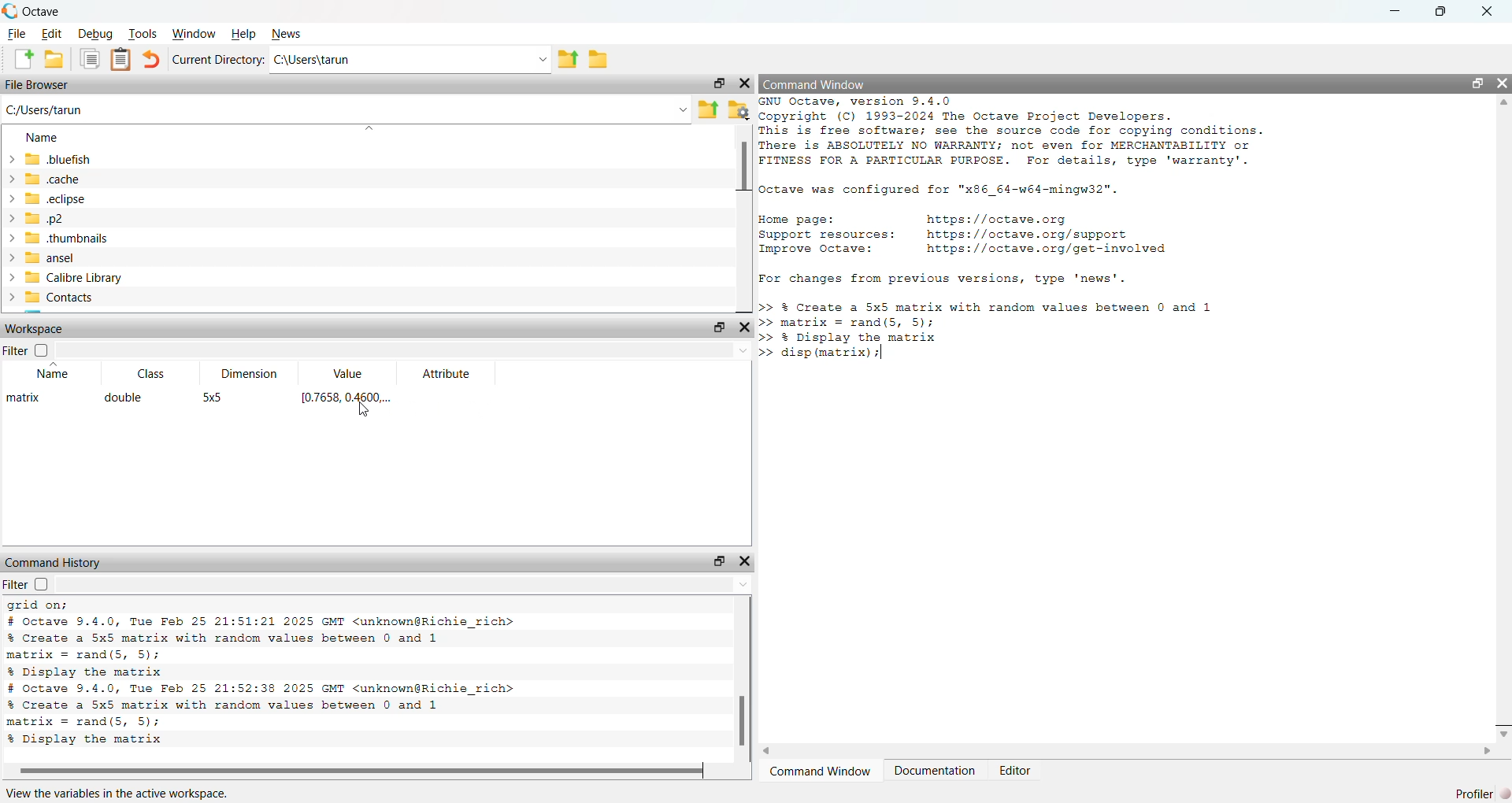  Describe the element at coordinates (55, 375) in the screenshot. I see `Name` at that location.